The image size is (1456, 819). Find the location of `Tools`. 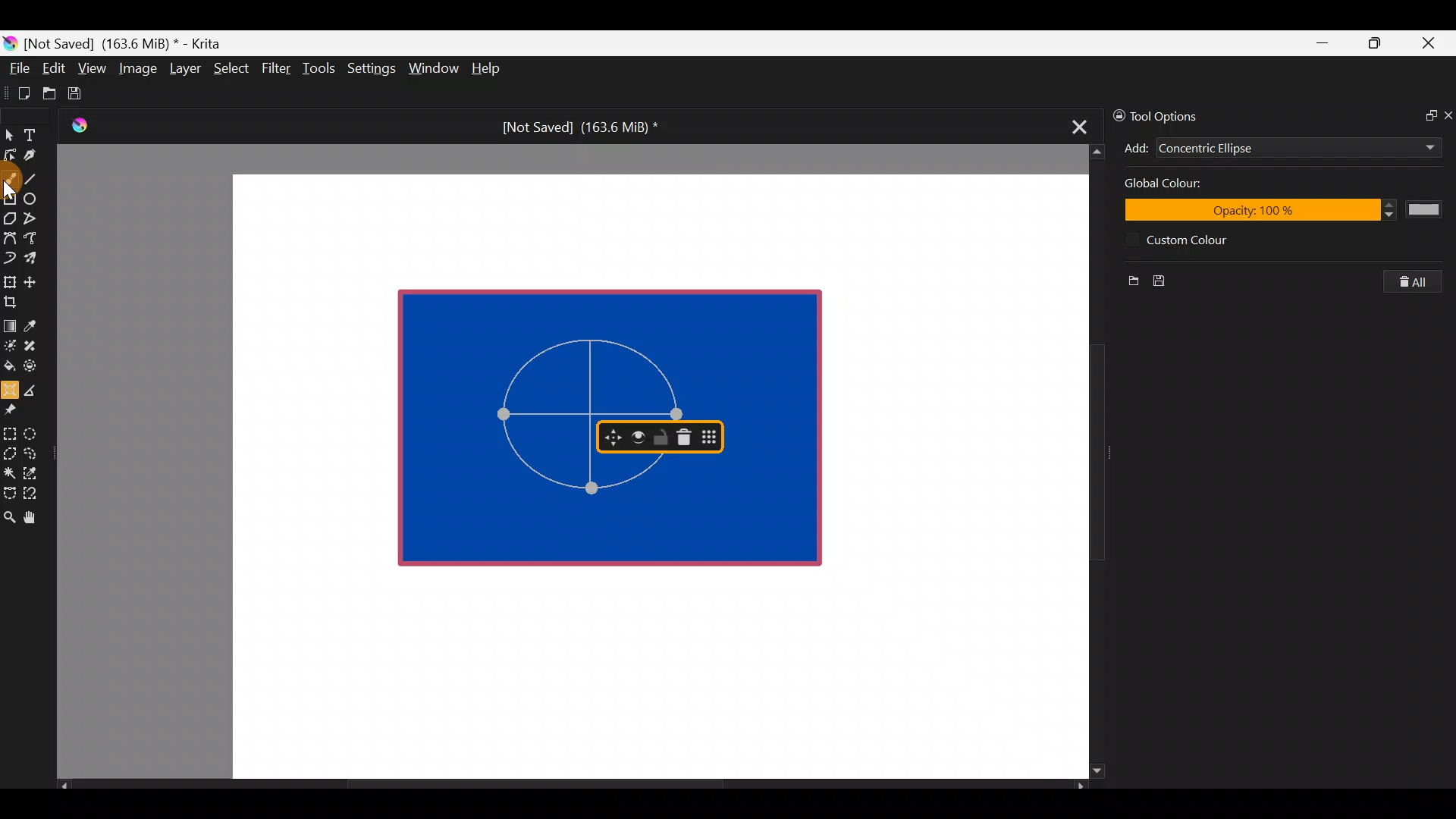

Tools is located at coordinates (322, 69).